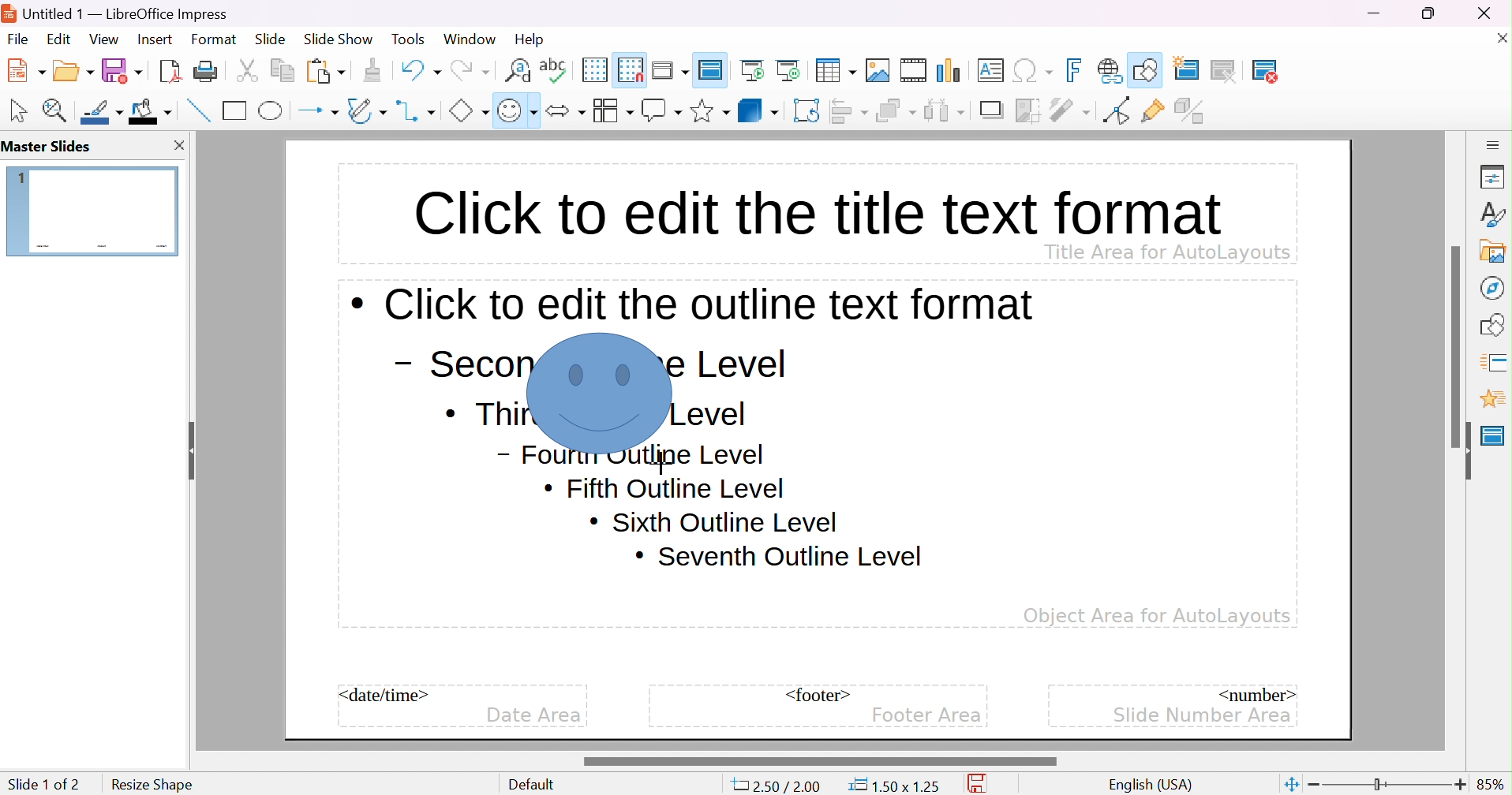  Describe the element at coordinates (1376, 13) in the screenshot. I see `minimize` at that location.